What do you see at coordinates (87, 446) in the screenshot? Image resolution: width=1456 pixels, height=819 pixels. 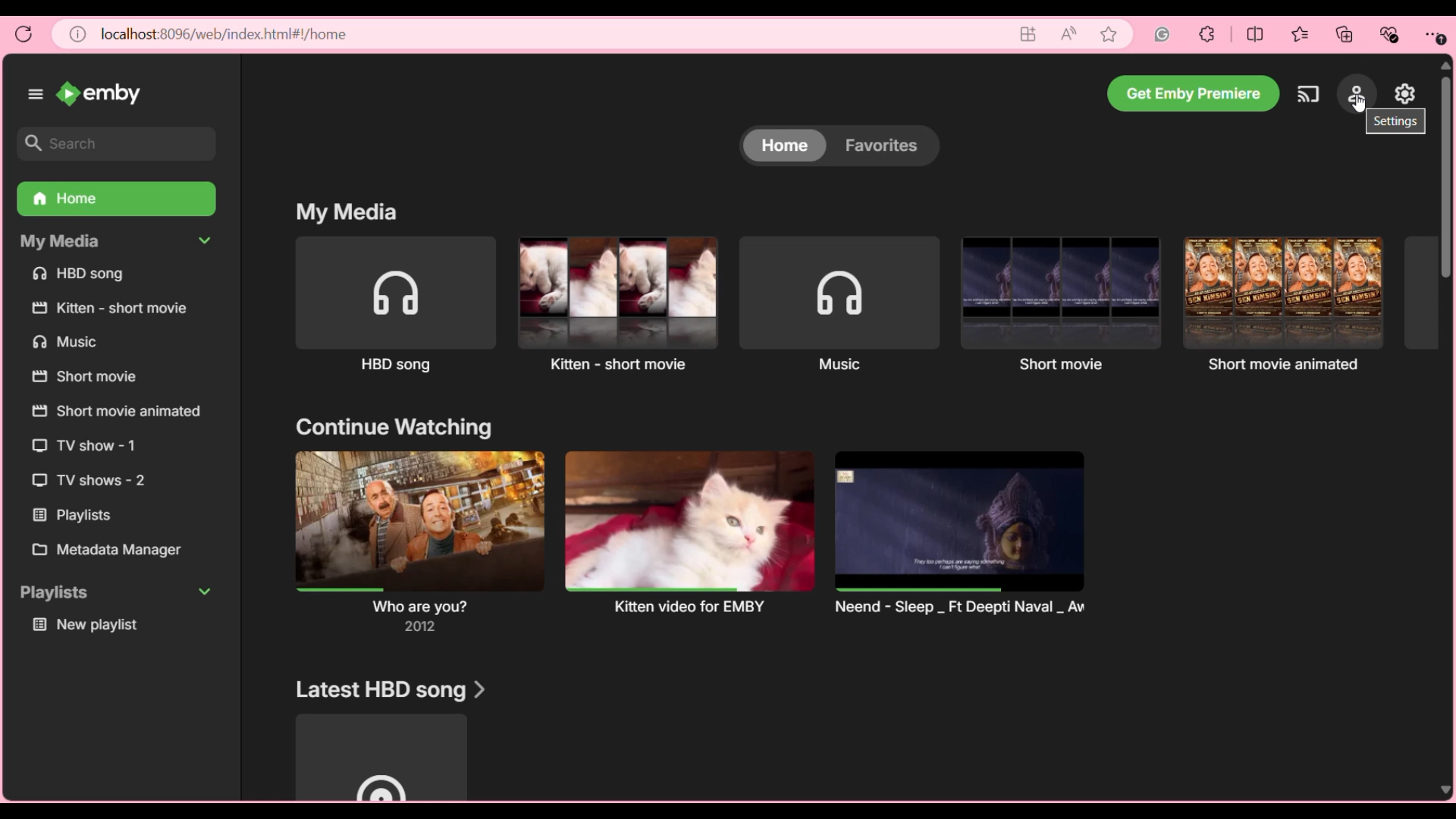 I see `TV show- 1` at bounding box center [87, 446].